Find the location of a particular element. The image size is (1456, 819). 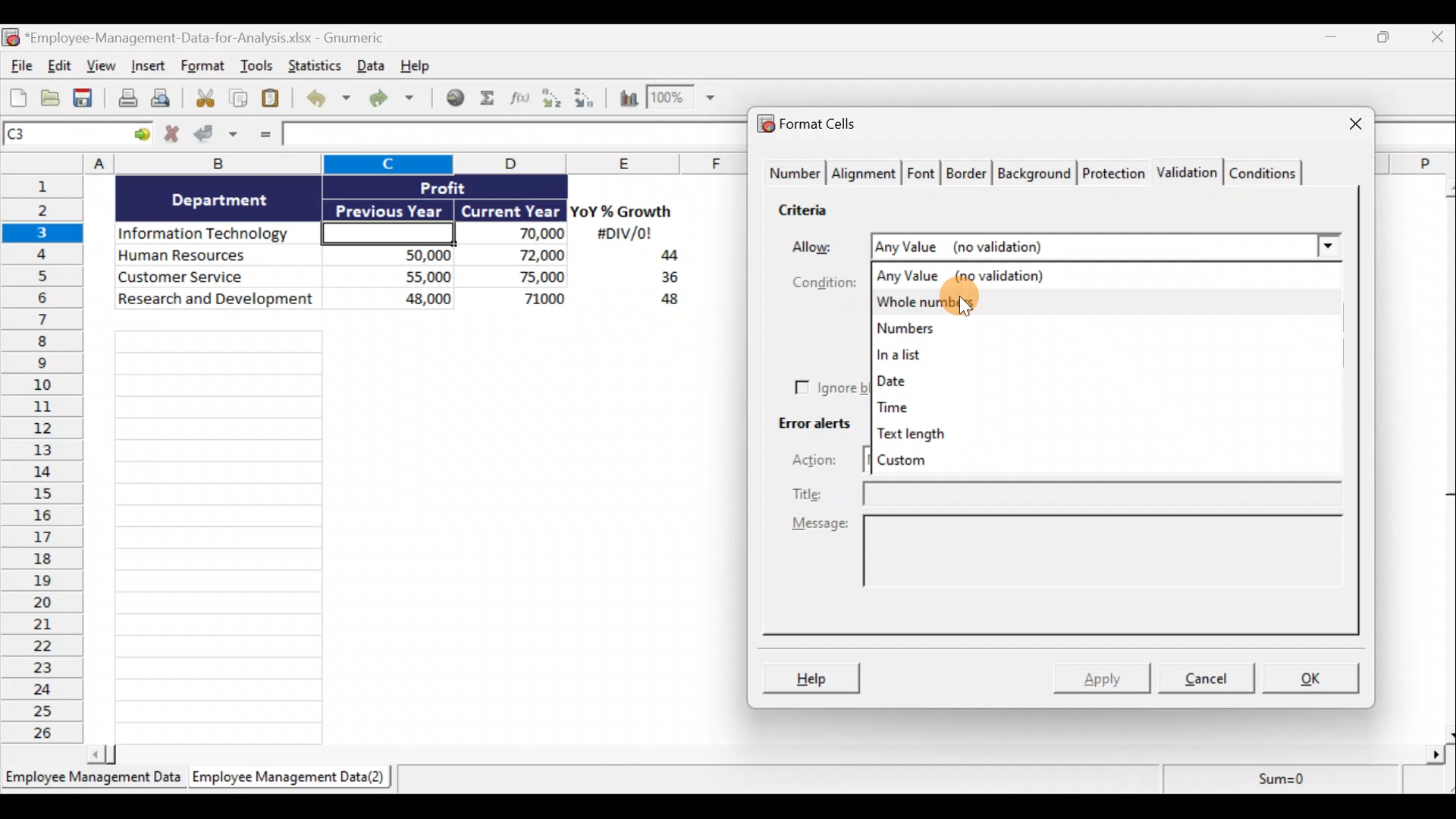

Insert is located at coordinates (151, 69).